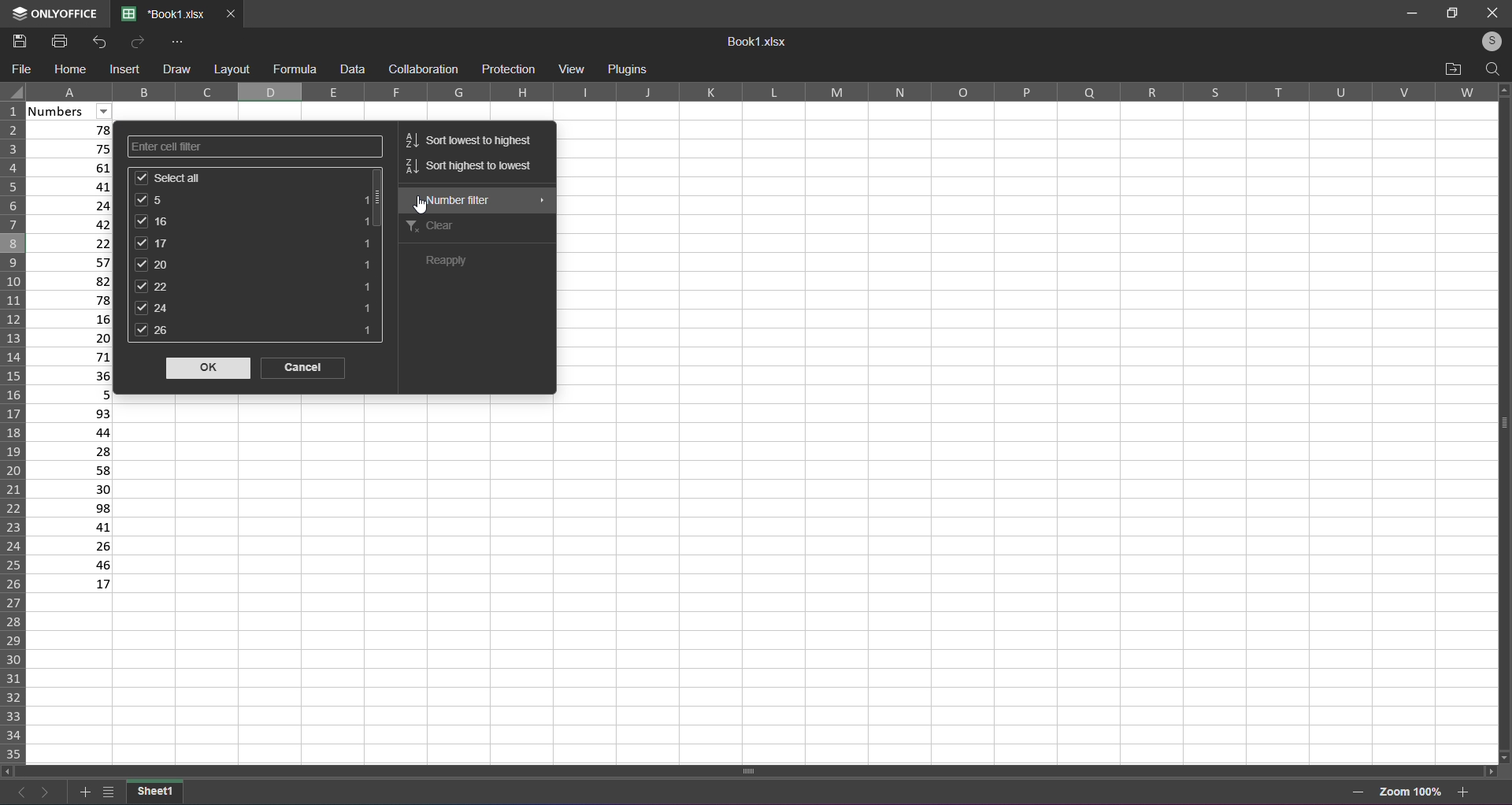 The height and width of the screenshot is (805, 1512). What do you see at coordinates (759, 43) in the screenshot?
I see `Book1.xlsx` at bounding box center [759, 43].